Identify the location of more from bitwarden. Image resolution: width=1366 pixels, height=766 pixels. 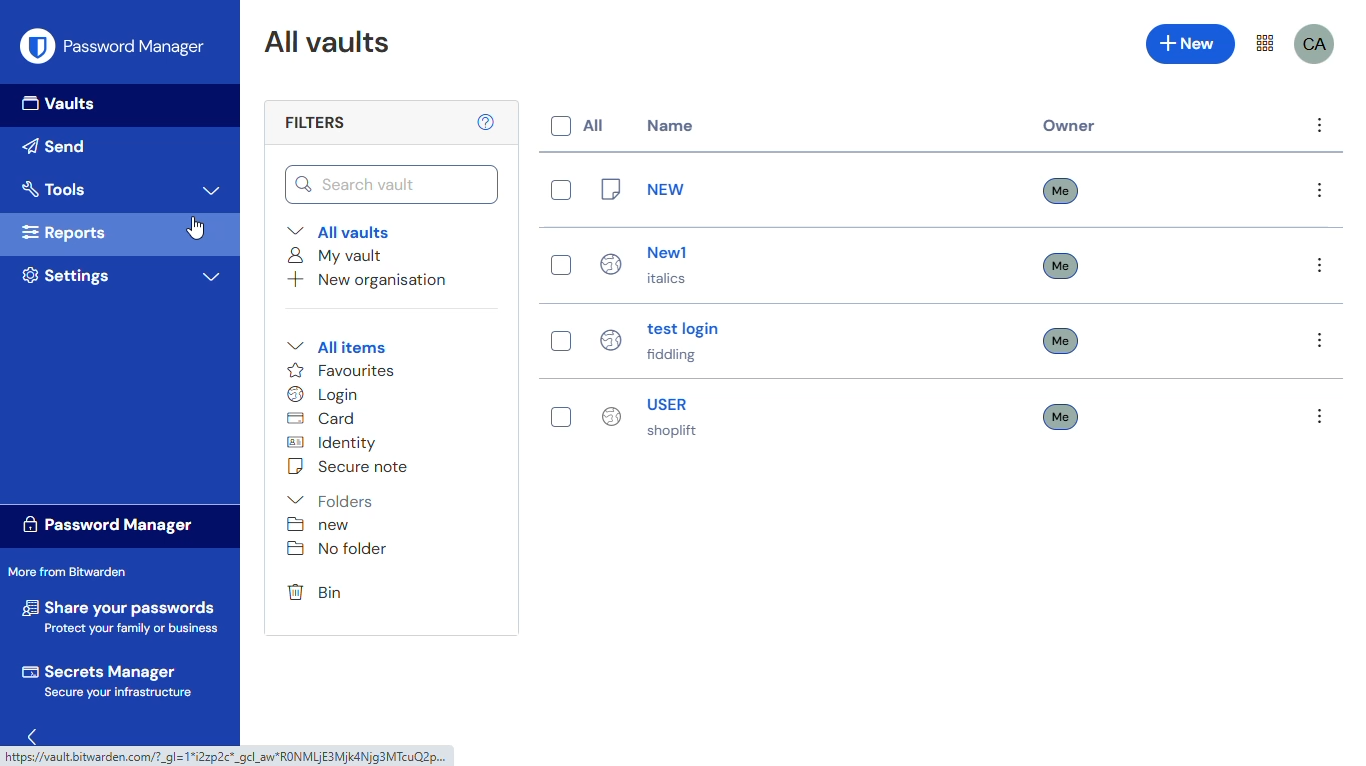
(1265, 43).